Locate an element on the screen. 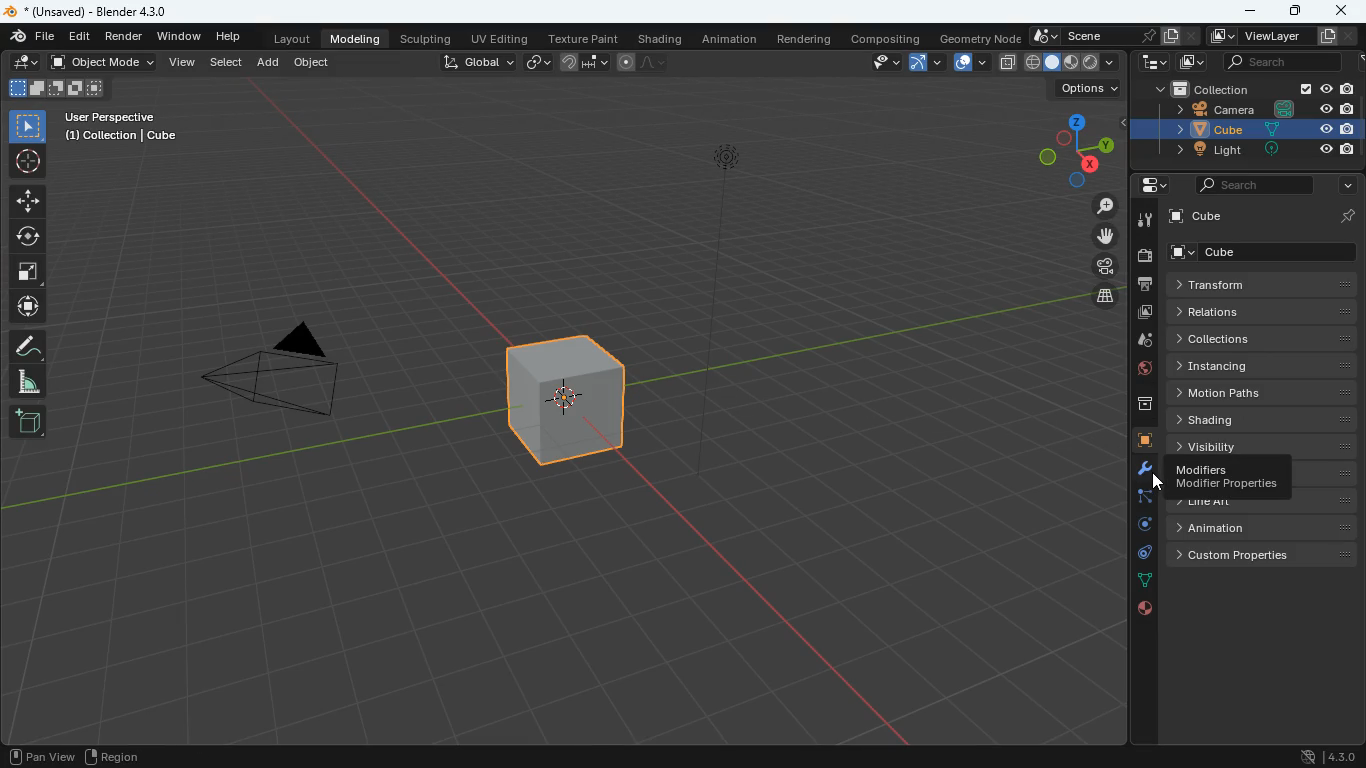  overlap is located at coordinates (968, 63).